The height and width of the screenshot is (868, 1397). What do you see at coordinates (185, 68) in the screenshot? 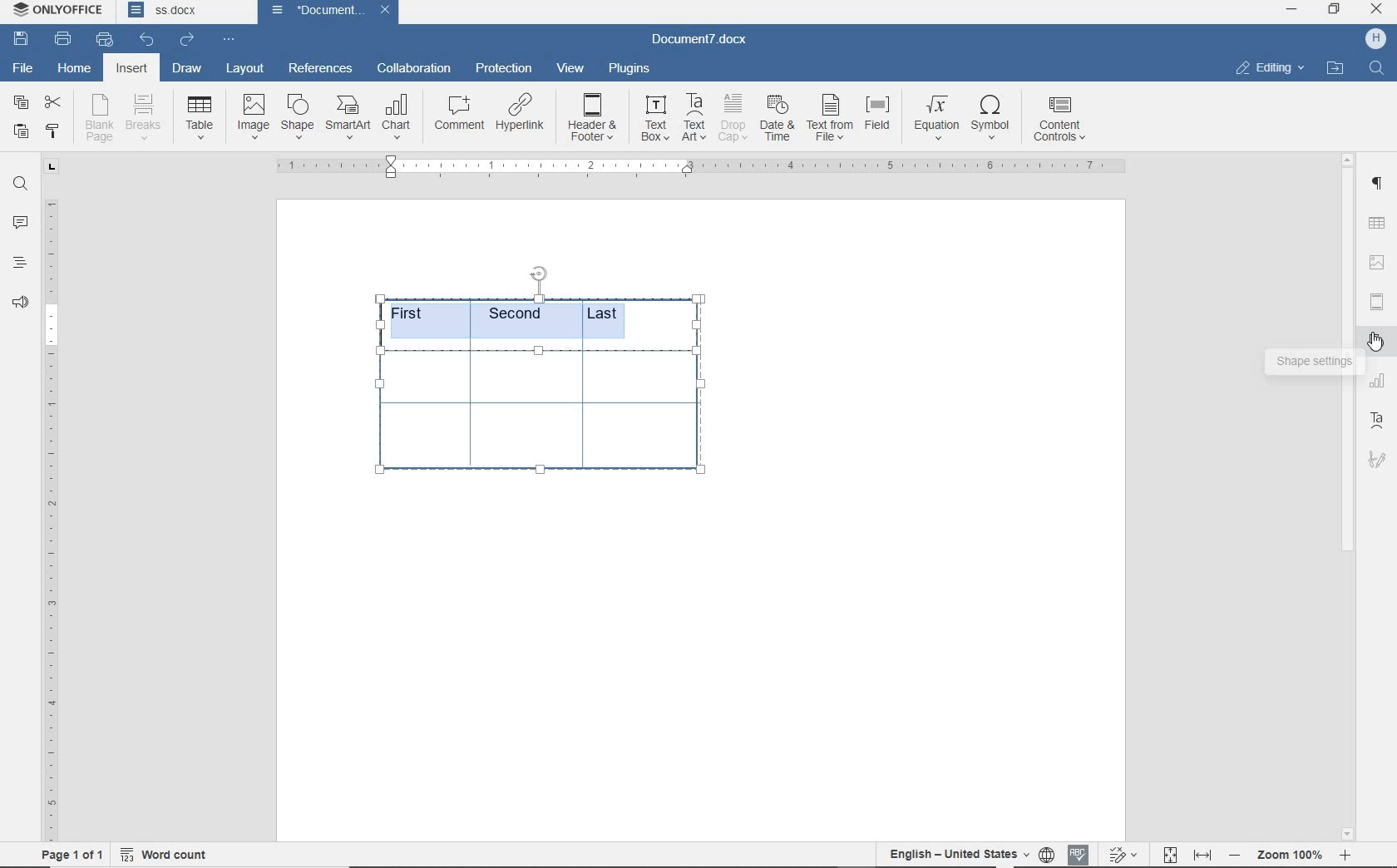
I see `draw` at bounding box center [185, 68].